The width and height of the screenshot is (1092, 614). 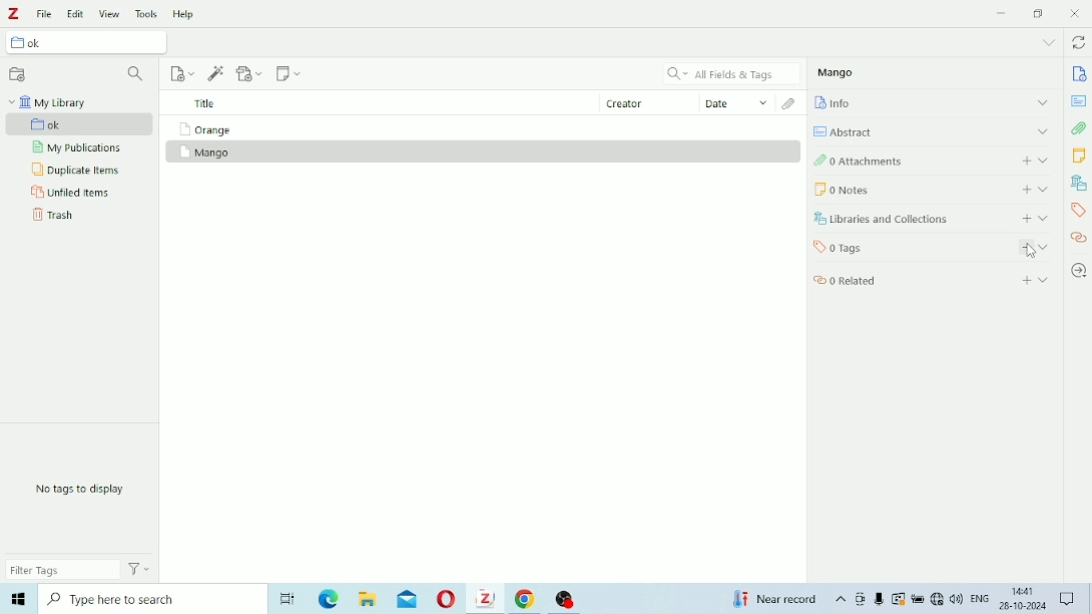 I want to click on 14:41, so click(x=1024, y=591).